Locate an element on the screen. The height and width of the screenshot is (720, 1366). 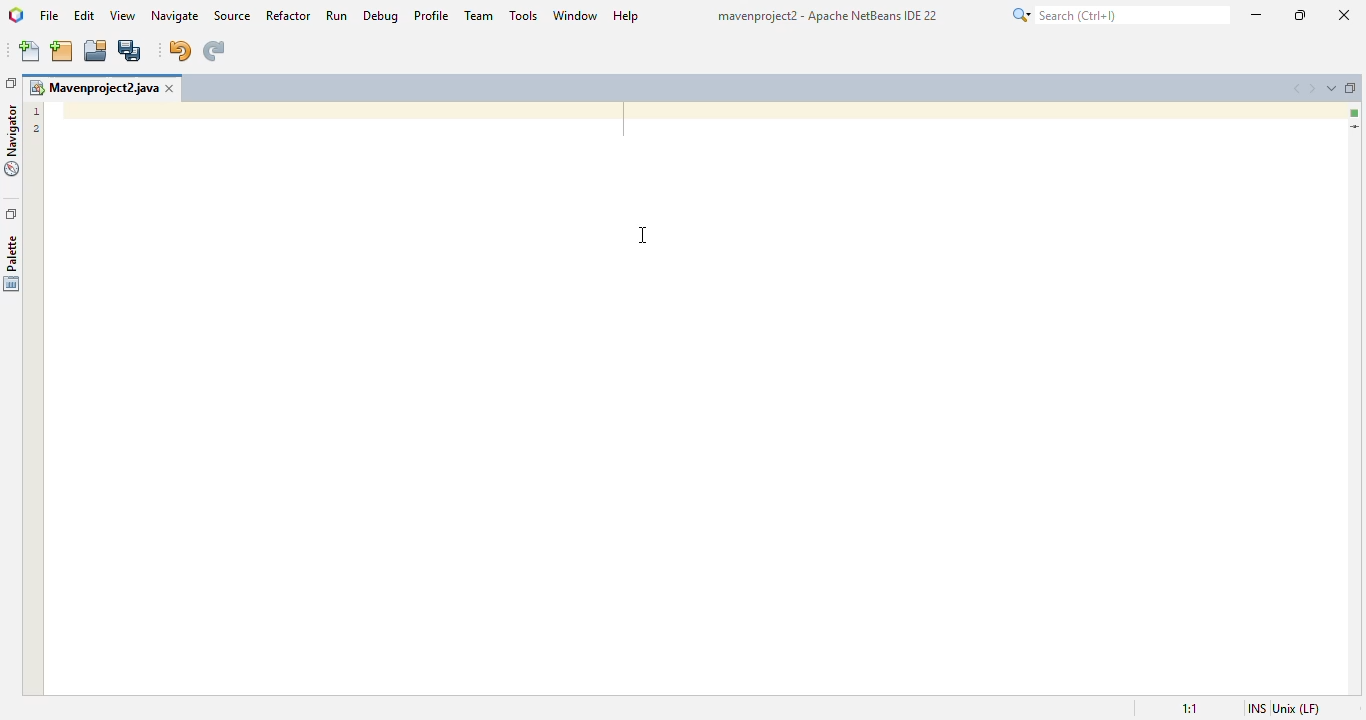
scroll documents right is located at coordinates (1312, 89).